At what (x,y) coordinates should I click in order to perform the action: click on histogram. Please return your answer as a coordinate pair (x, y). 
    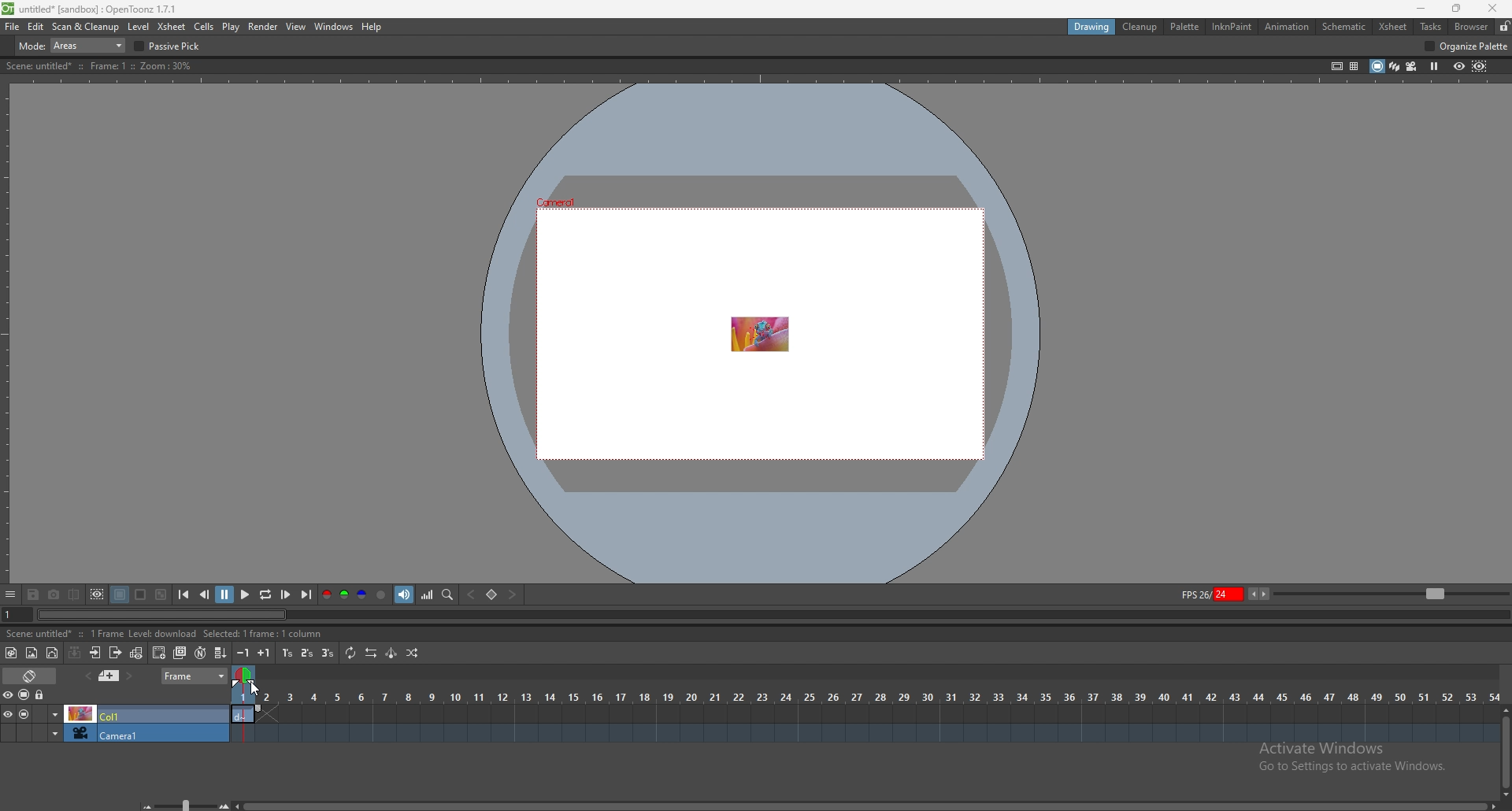
    Looking at the image, I should click on (428, 594).